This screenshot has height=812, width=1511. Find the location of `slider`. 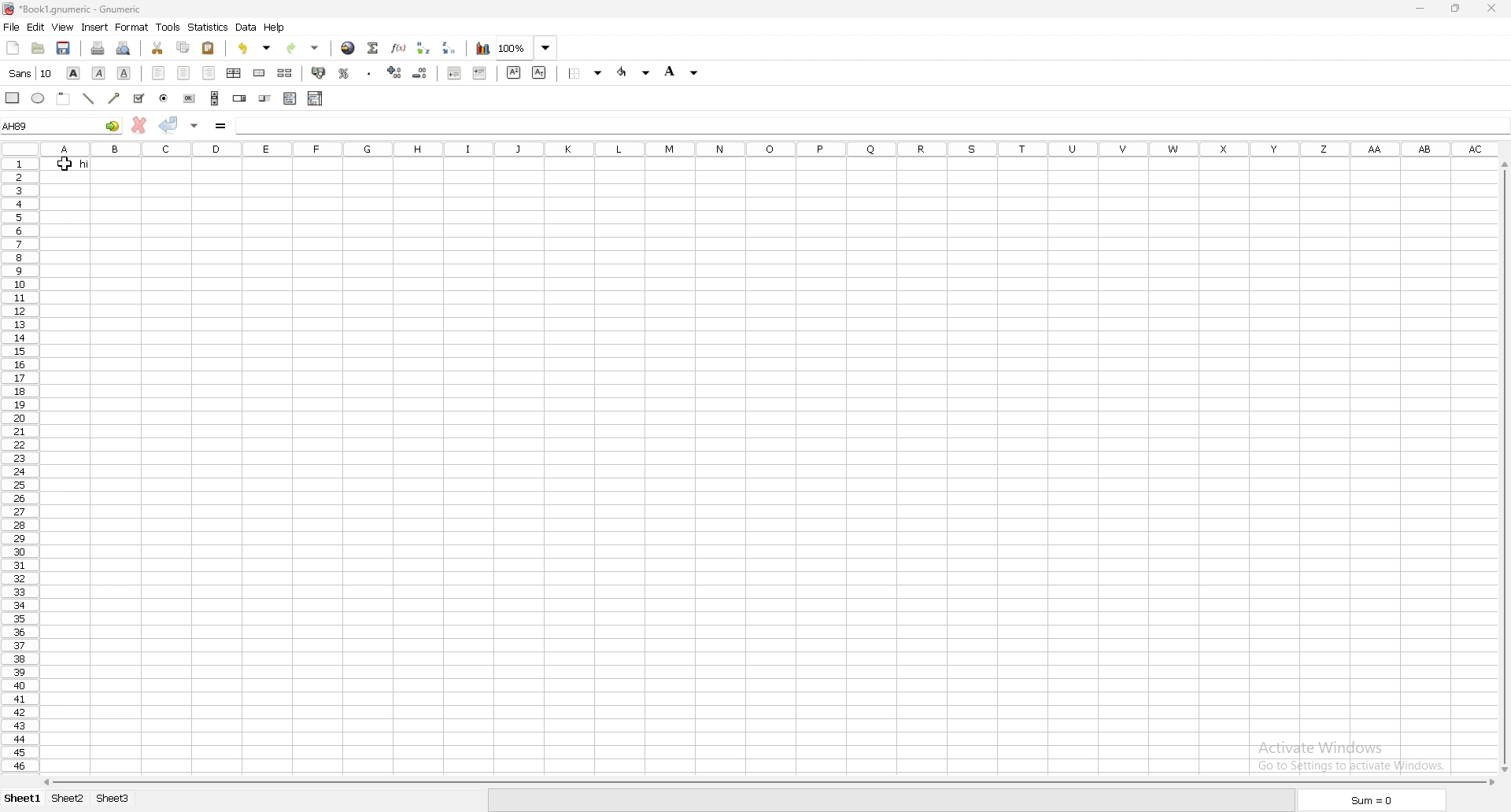

slider is located at coordinates (265, 100).